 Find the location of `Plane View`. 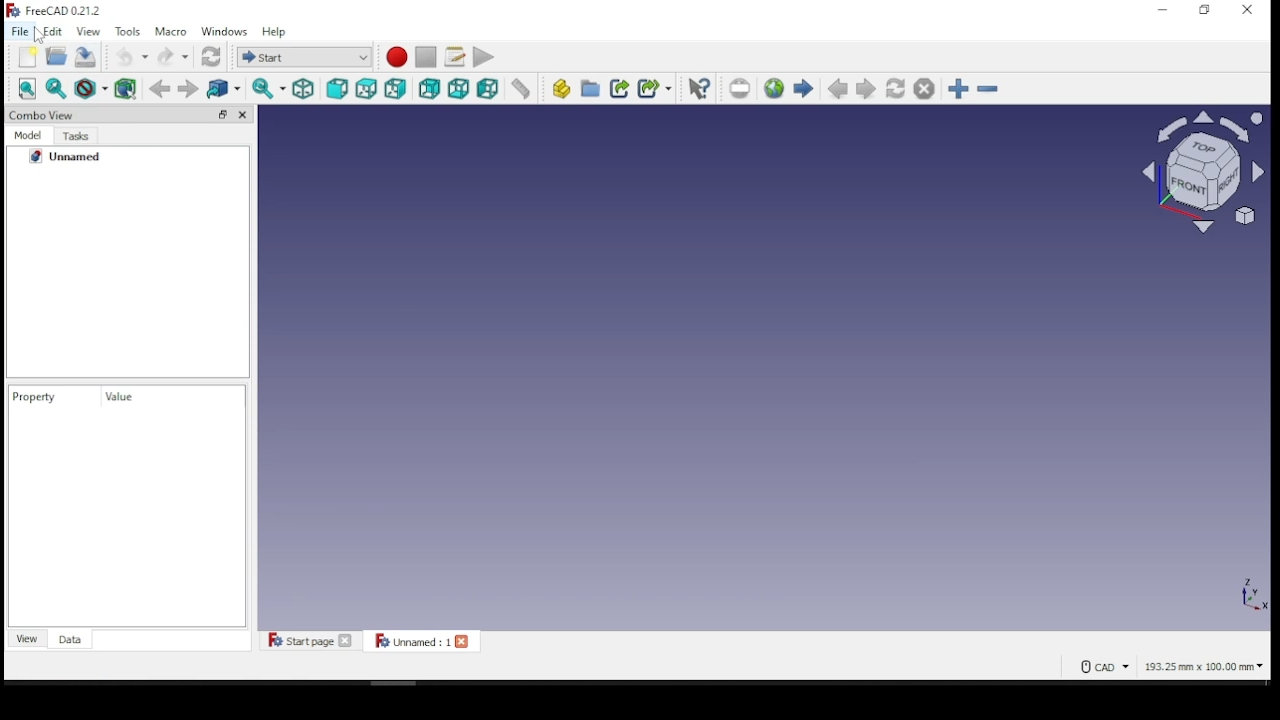

Plane View is located at coordinates (1196, 172).